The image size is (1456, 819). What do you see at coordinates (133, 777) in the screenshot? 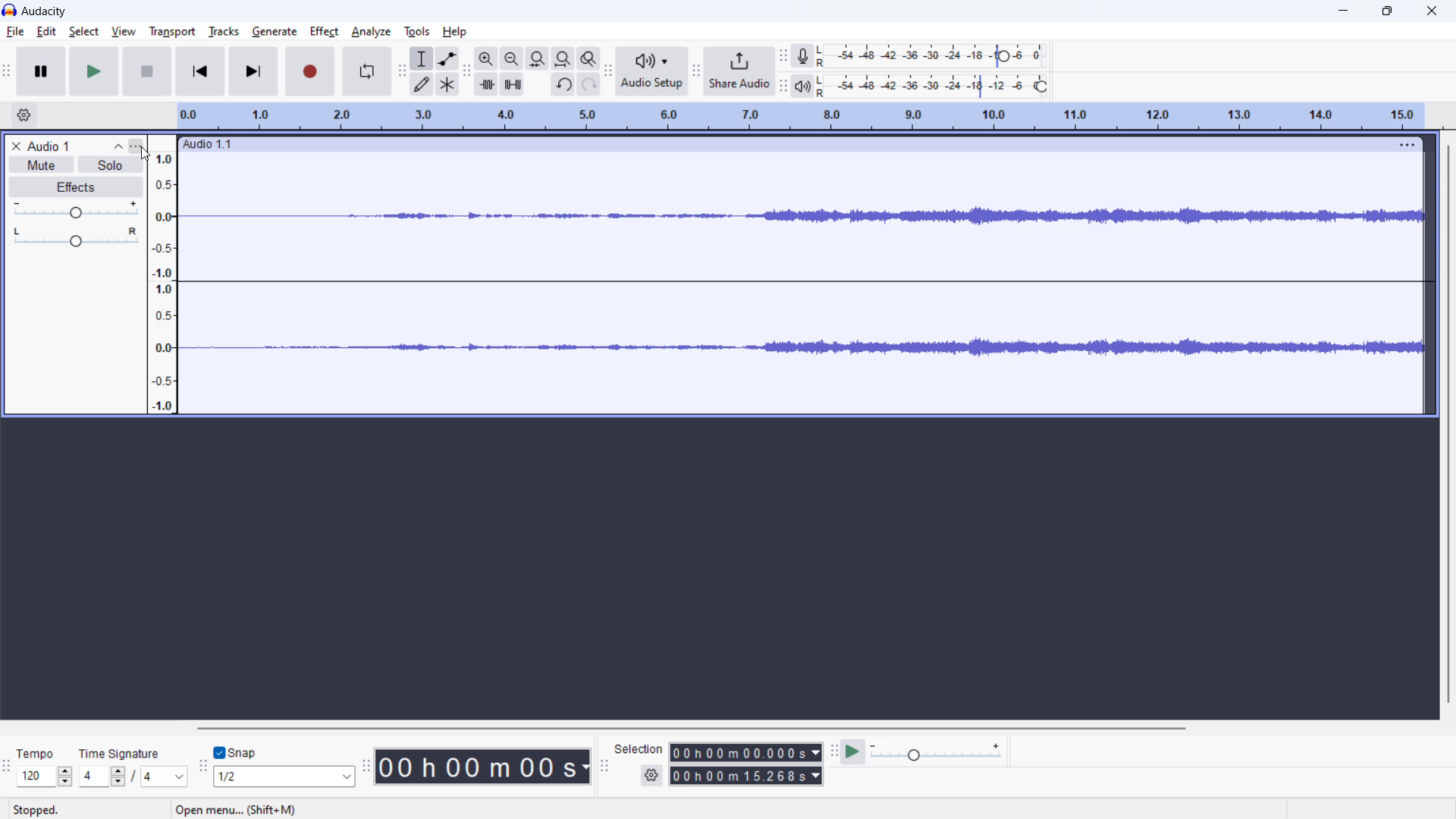
I see `set time signature` at bounding box center [133, 777].